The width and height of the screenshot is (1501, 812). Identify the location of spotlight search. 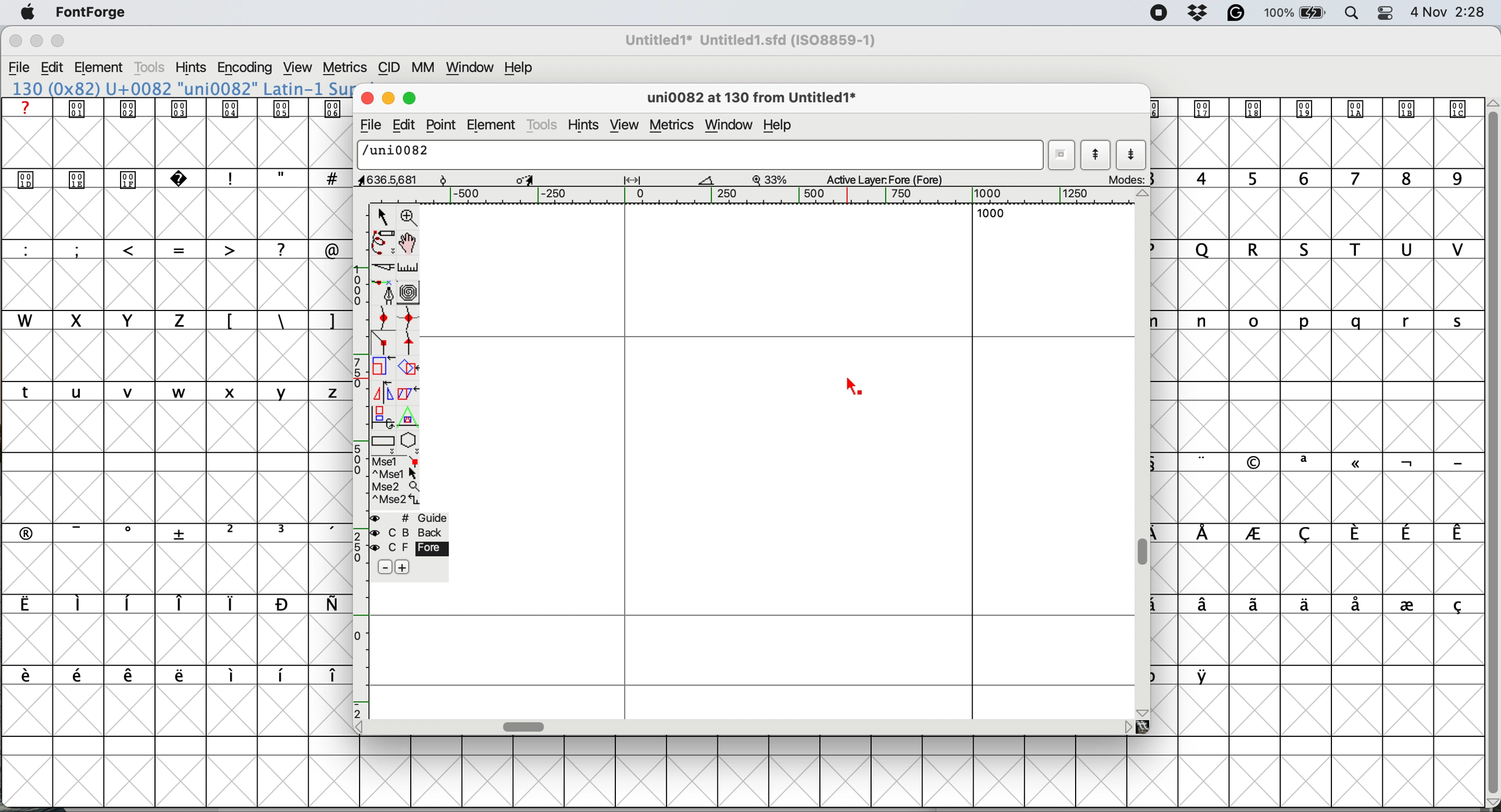
(1349, 15).